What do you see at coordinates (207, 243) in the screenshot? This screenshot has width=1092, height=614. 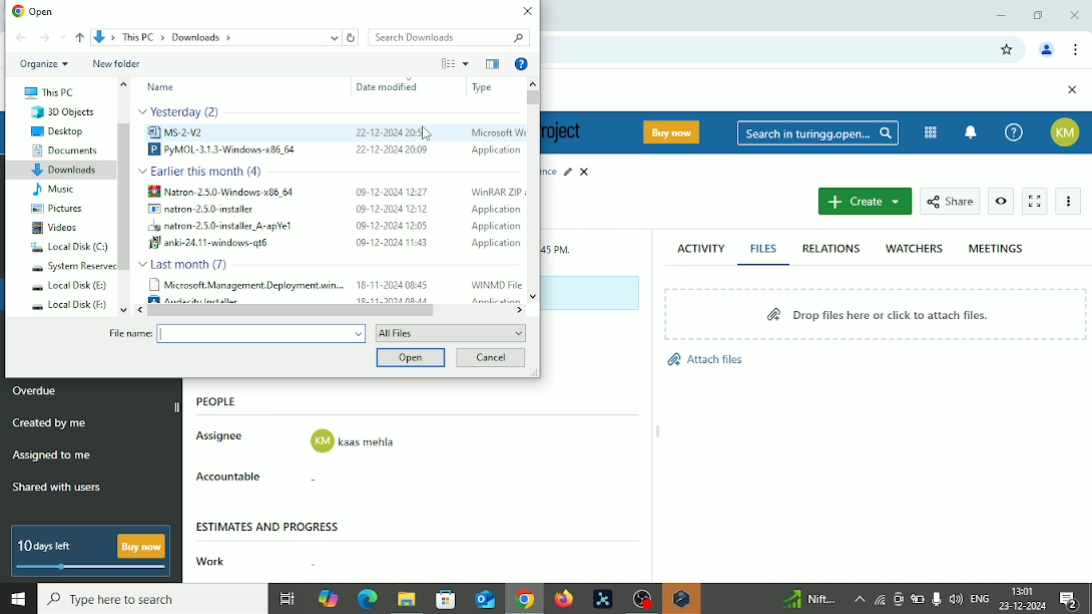 I see `f anki-24.11-windows-qt6` at bounding box center [207, 243].